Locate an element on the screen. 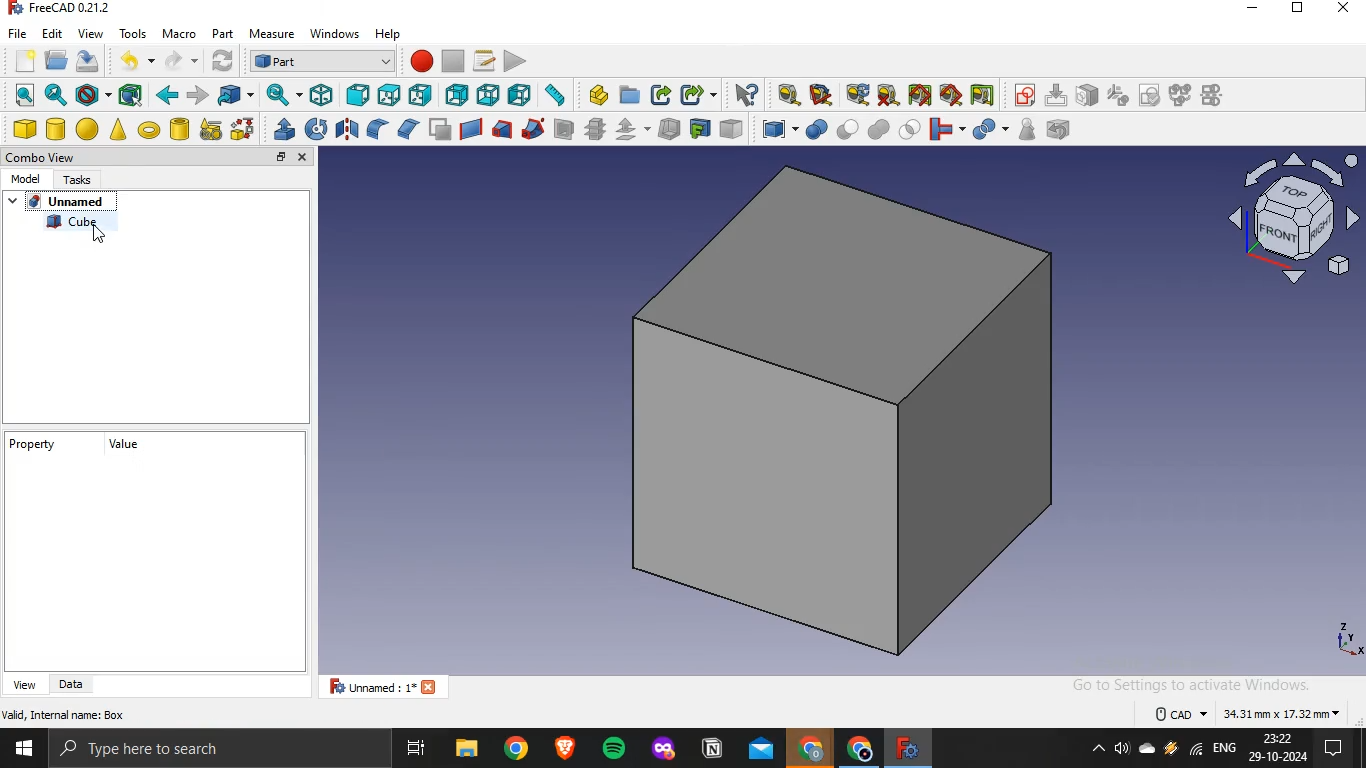 The image size is (1366, 768). compound tools is located at coordinates (771, 130).